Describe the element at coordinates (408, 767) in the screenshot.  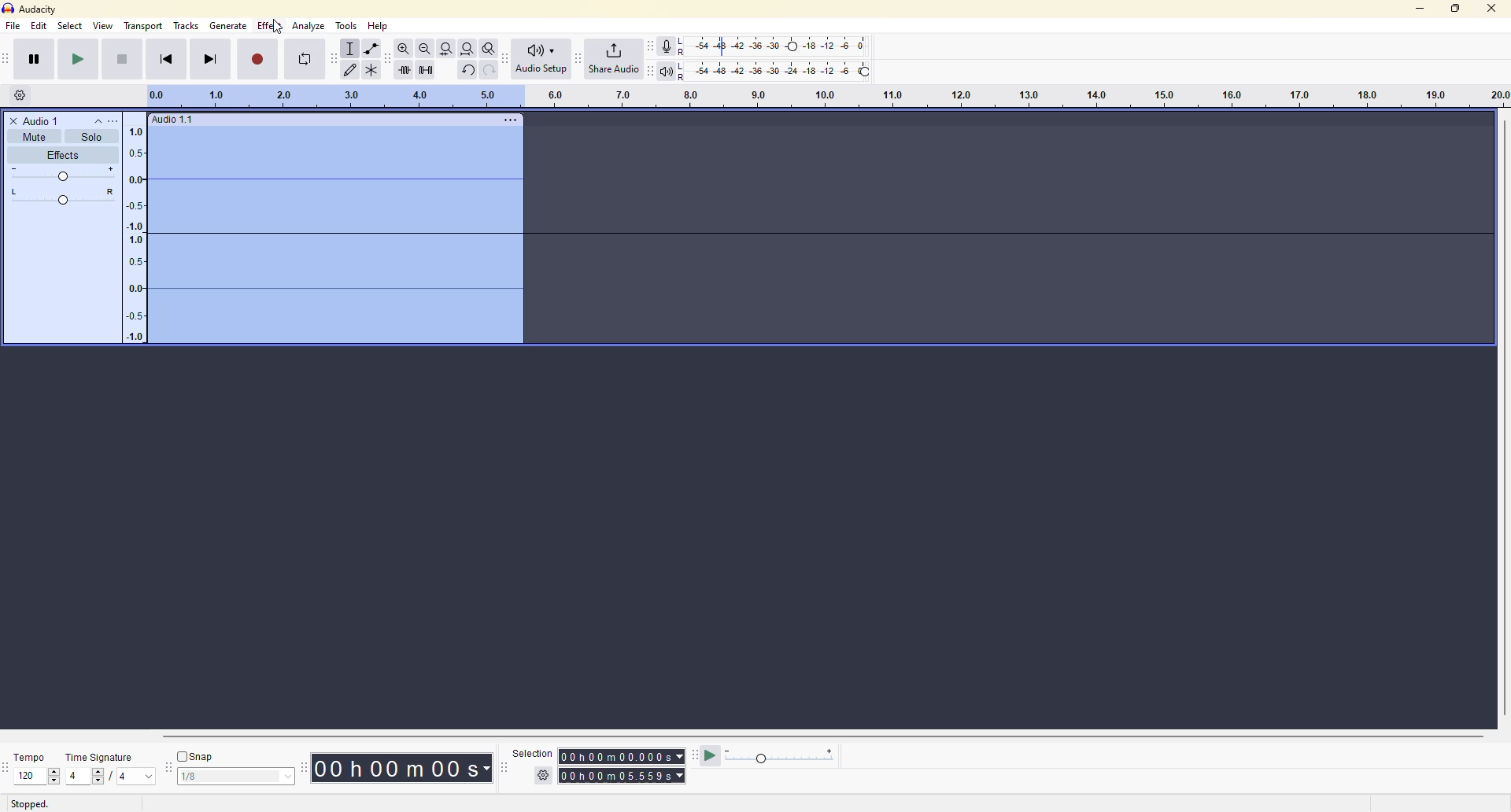
I see `time` at that location.